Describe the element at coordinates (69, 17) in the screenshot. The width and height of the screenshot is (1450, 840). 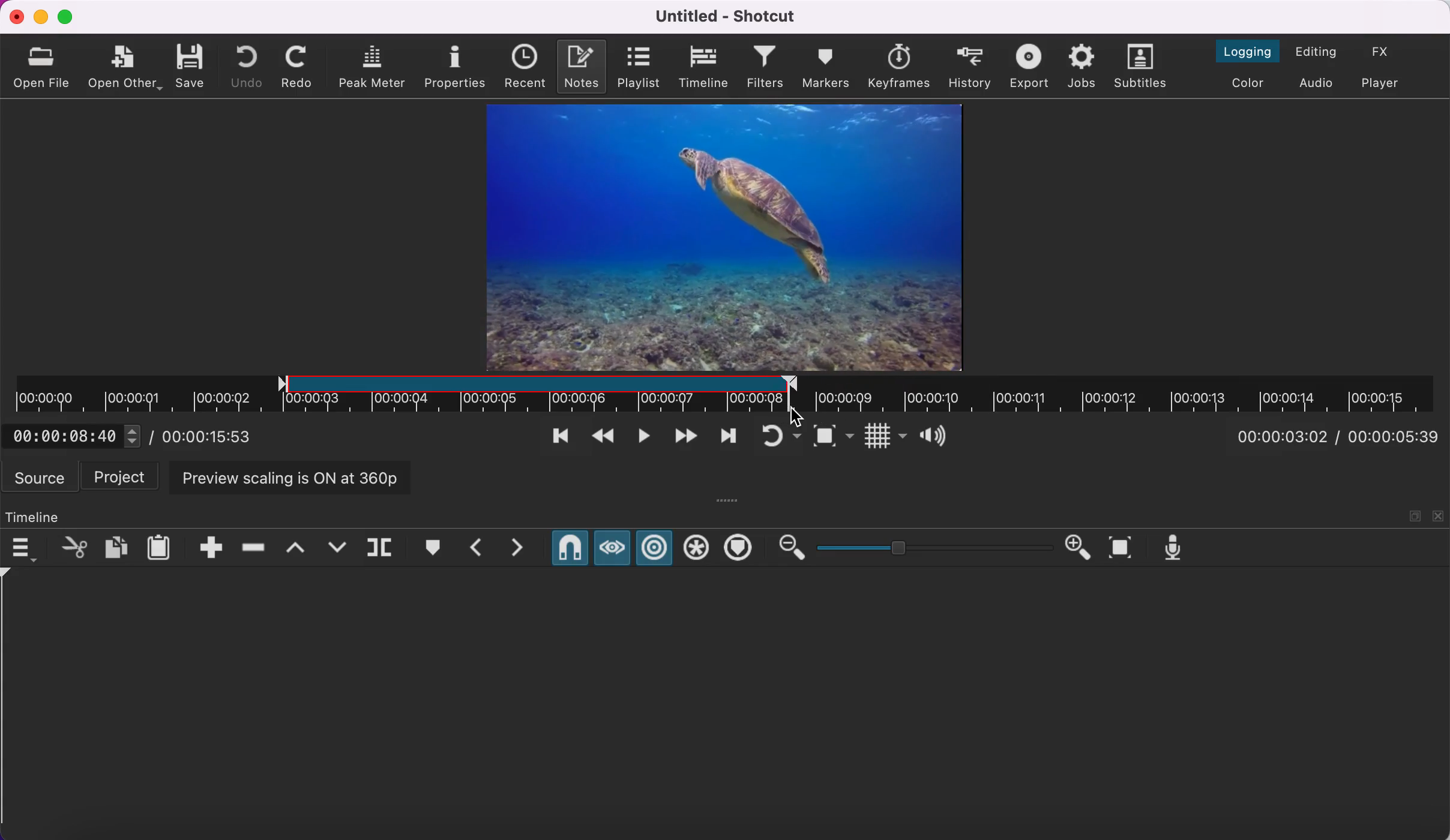
I see `maximize` at that location.